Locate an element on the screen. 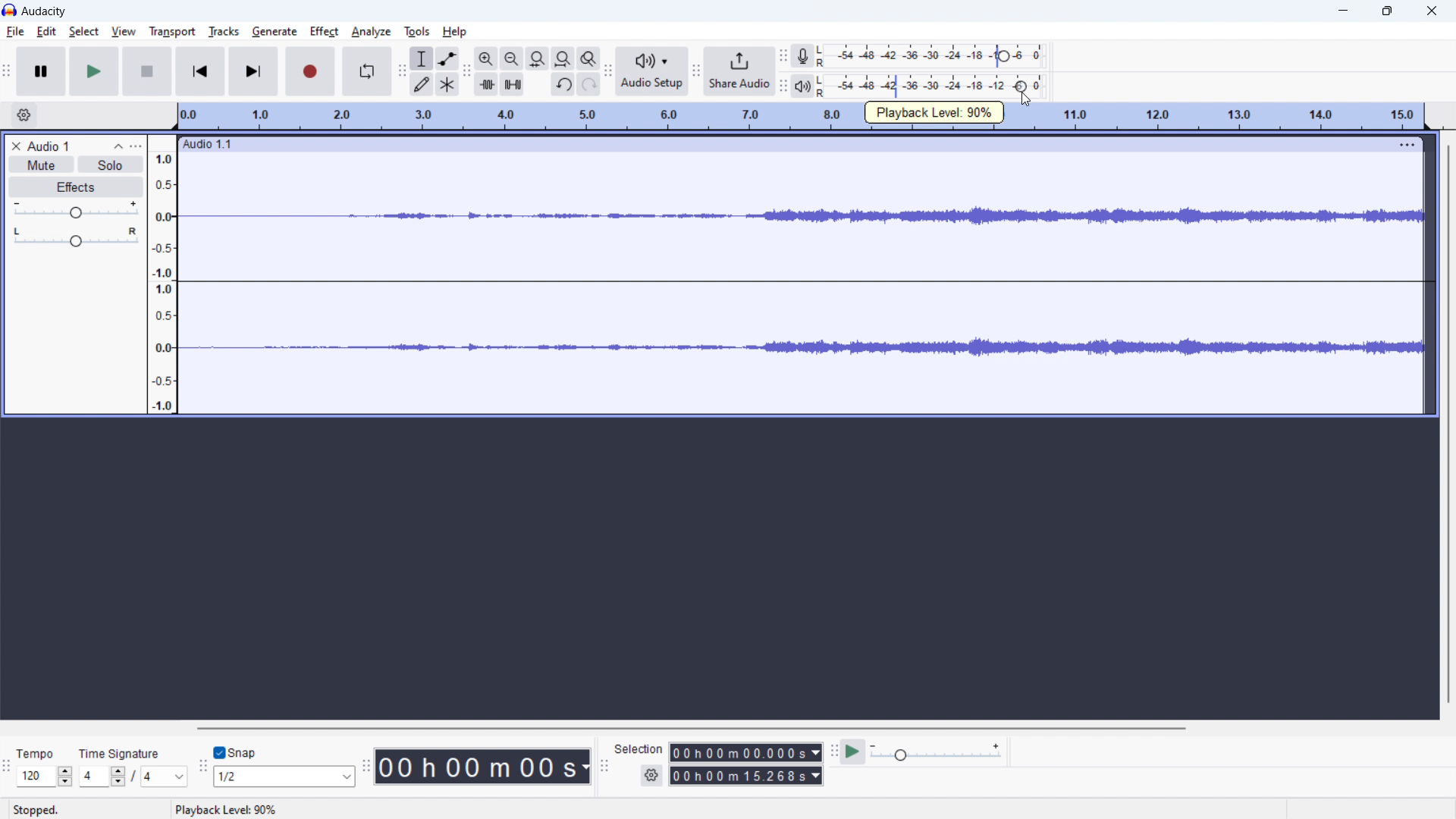  Tempo is located at coordinates (39, 752).